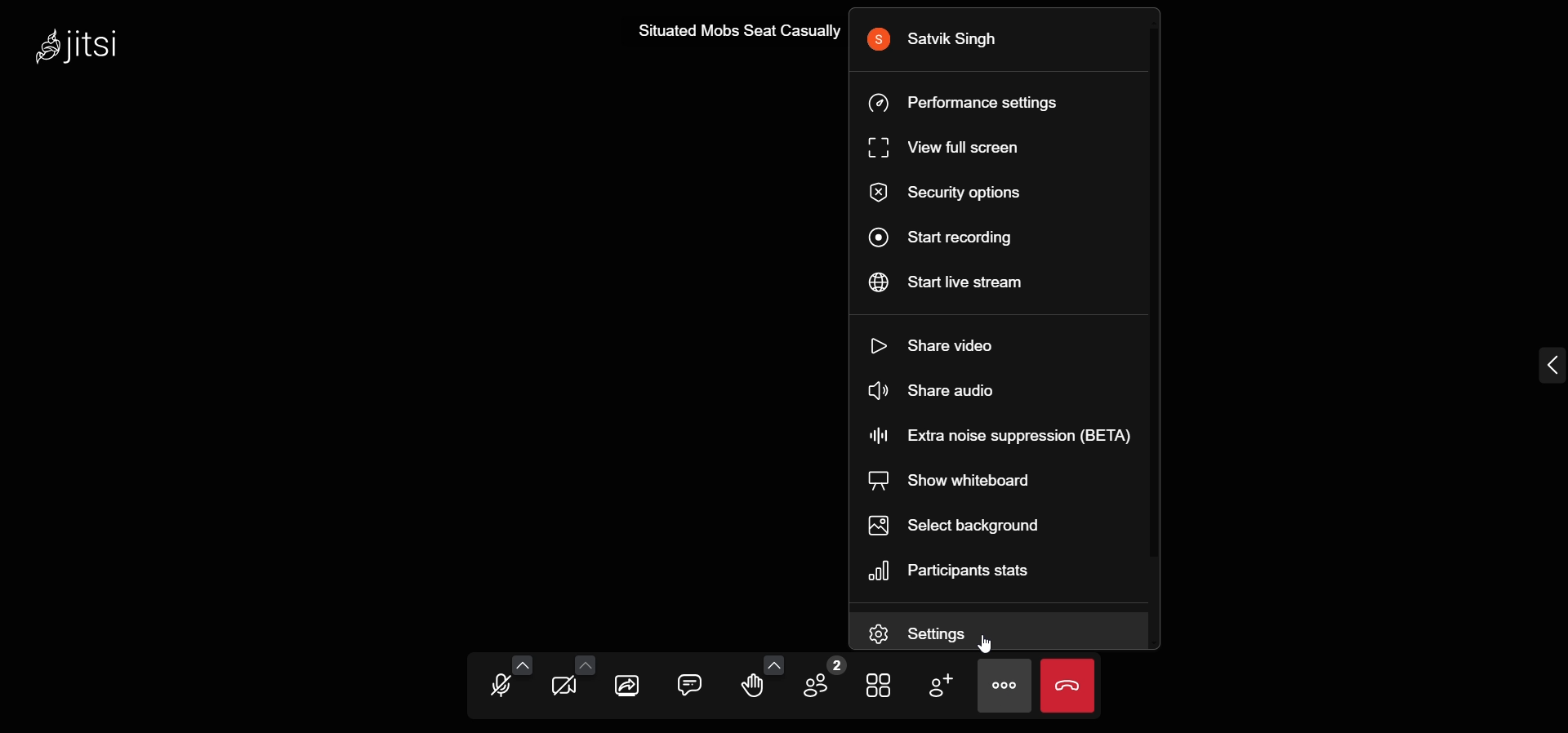  What do you see at coordinates (1000, 435) in the screenshot?
I see `extra noise suppression (BETA)` at bounding box center [1000, 435].